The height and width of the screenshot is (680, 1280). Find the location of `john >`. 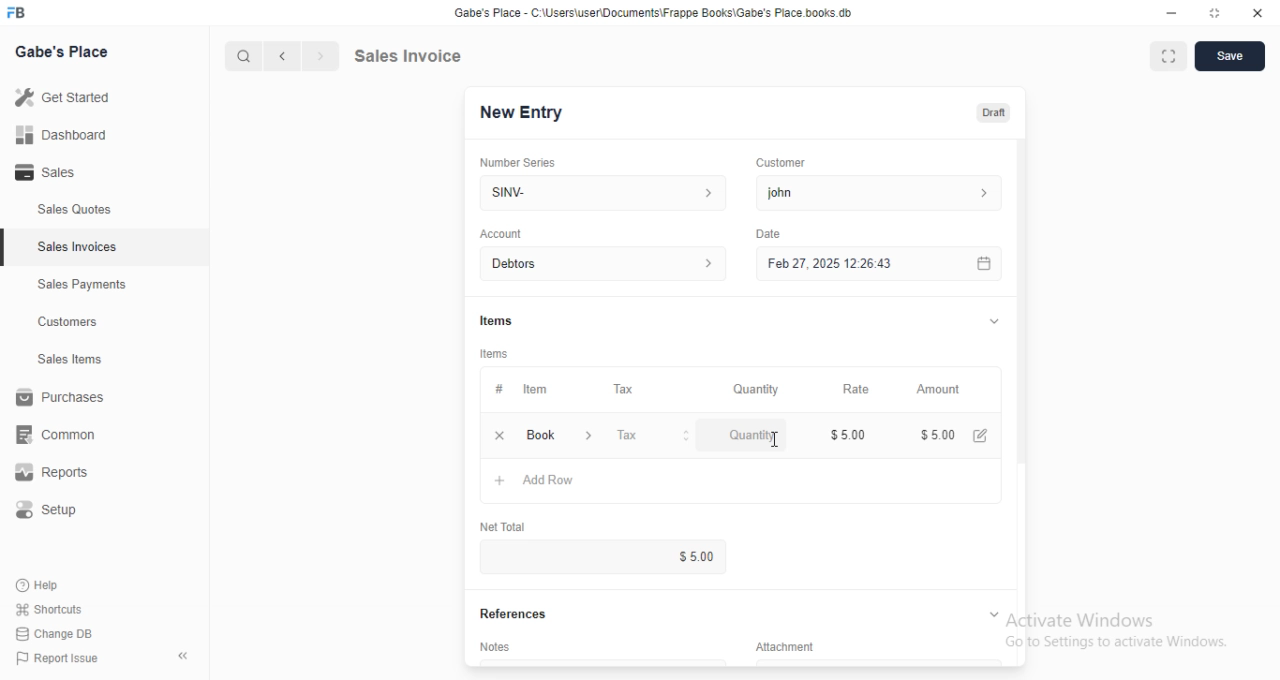

john > is located at coordinates (885, 192).